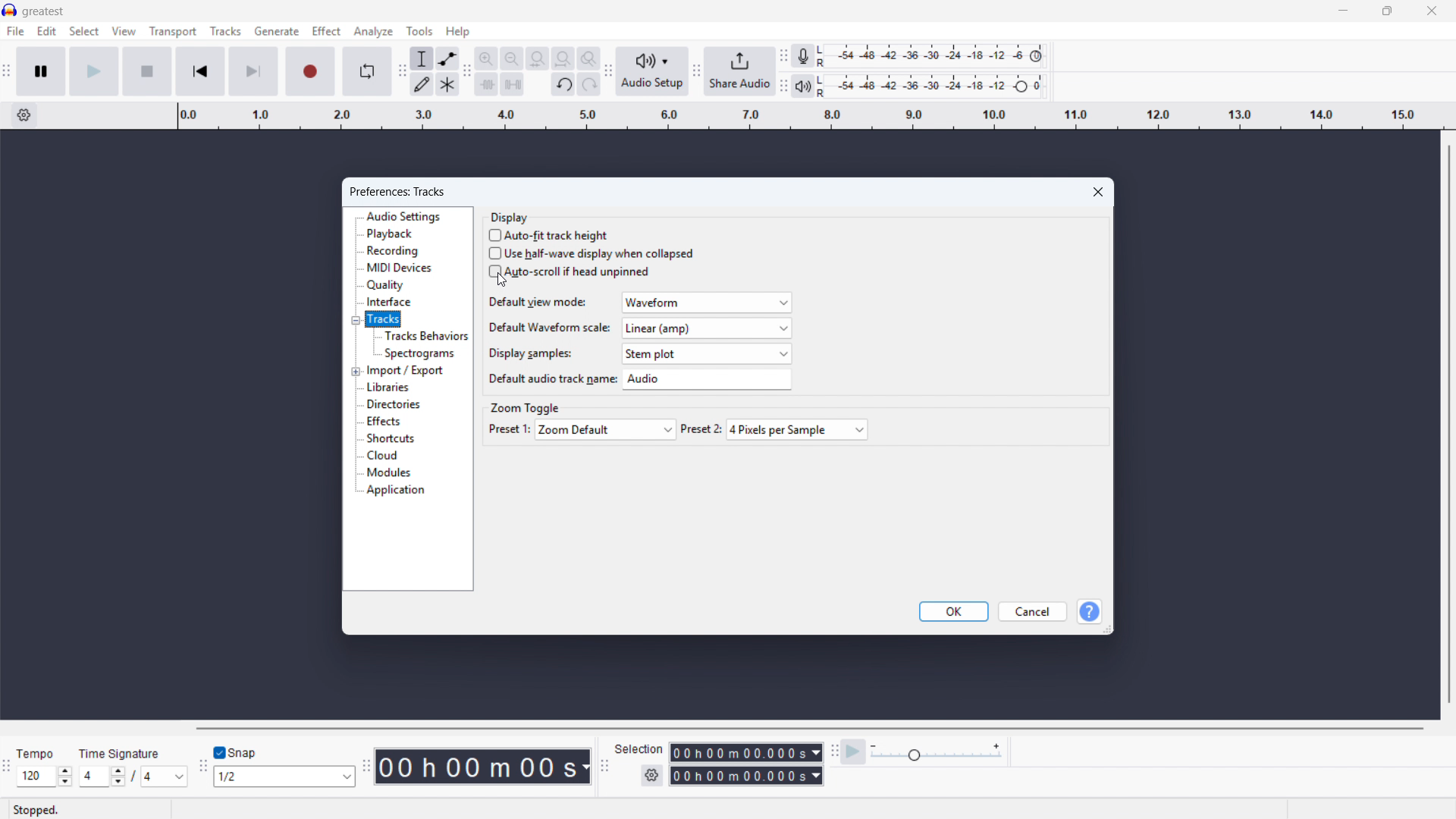 The height and width of the screenshot is (819, 1456). What do you see at coordinates (399, 192) in the screenshot?
I see `Preferences: tracks ` at bounding box center [399, 192].